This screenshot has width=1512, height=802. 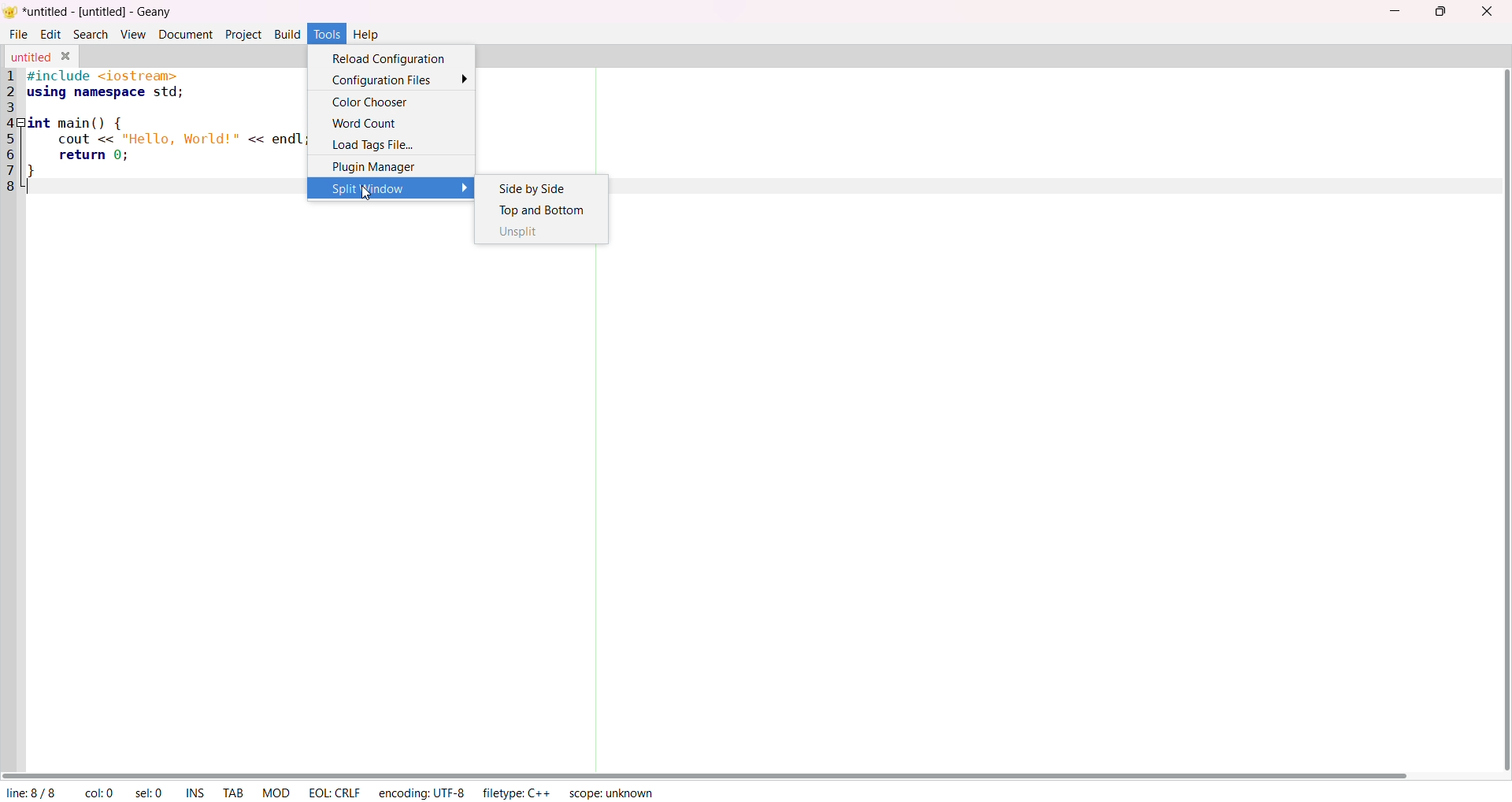 I want to click on Build, so click(x=287, y=34).